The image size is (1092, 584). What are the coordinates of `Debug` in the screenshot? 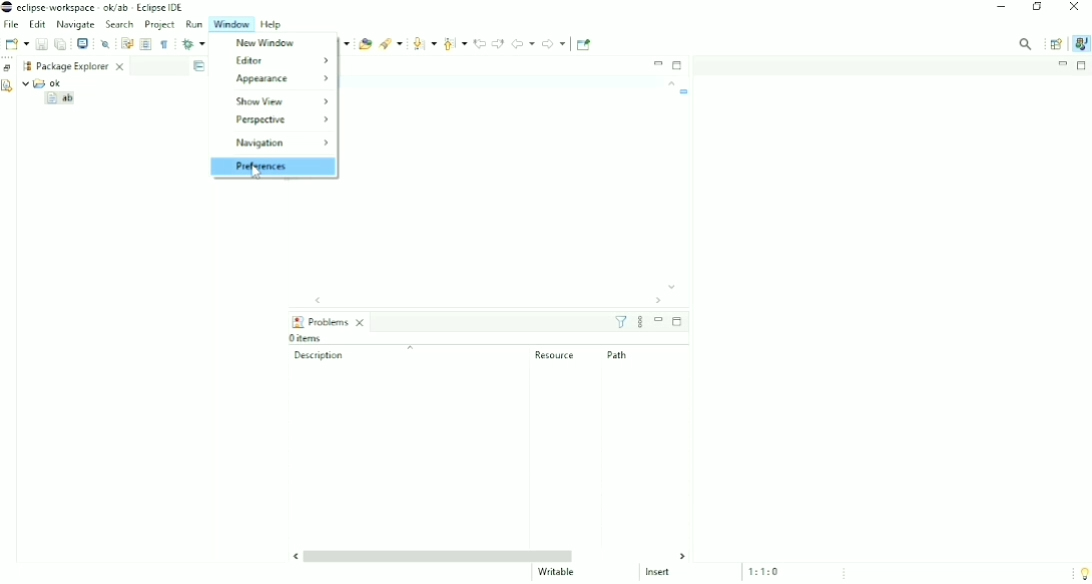 It's located at (192, 43).